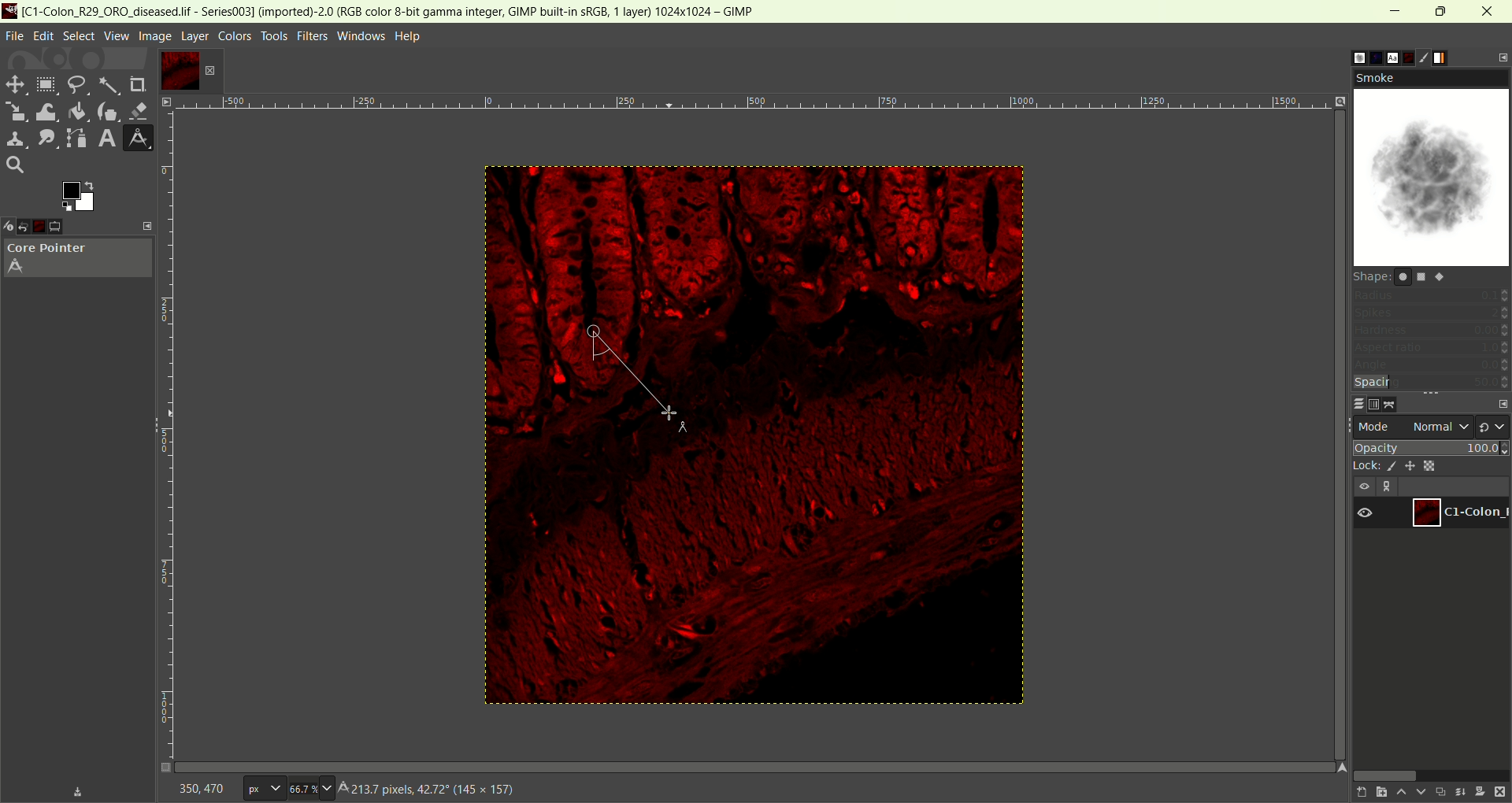 This screenshot has height=803, width=1512. What do you see at coordinates (1480, 793) in the screenshot?
I see `mask layer` at bounding box center [1480, 793].